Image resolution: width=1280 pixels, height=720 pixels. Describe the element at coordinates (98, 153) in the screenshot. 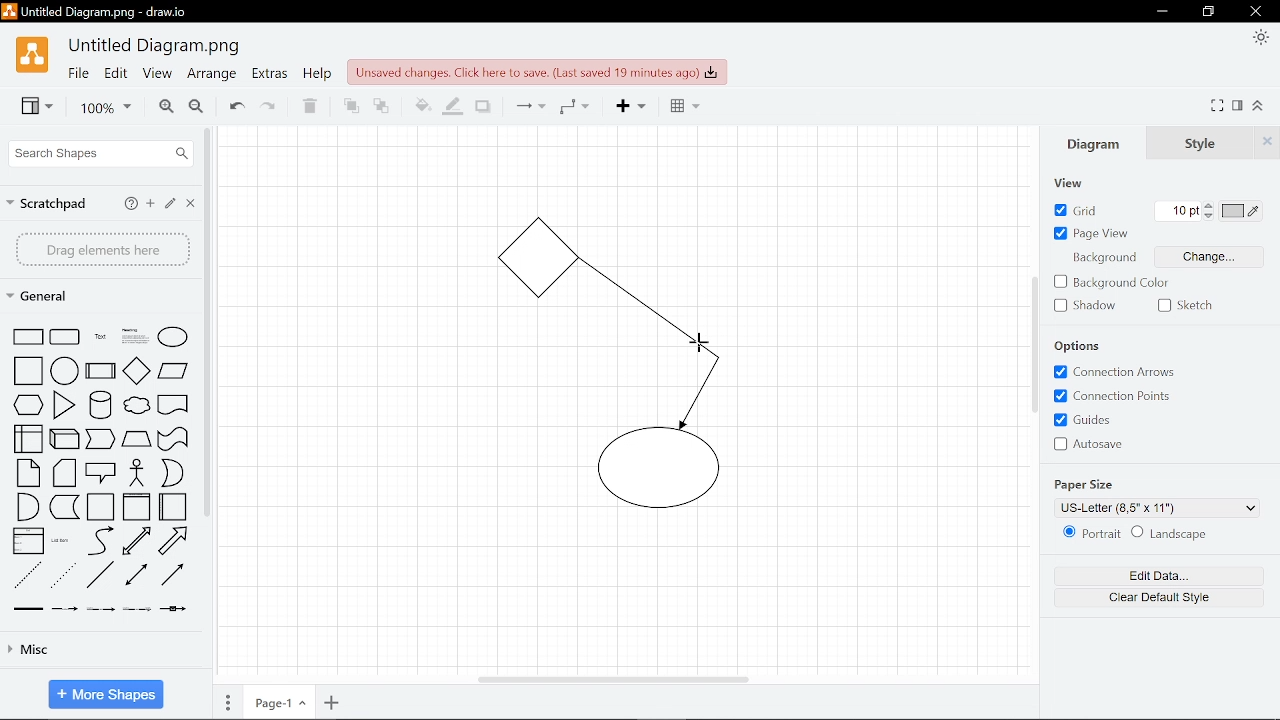

I see `Search shapes` at that location.